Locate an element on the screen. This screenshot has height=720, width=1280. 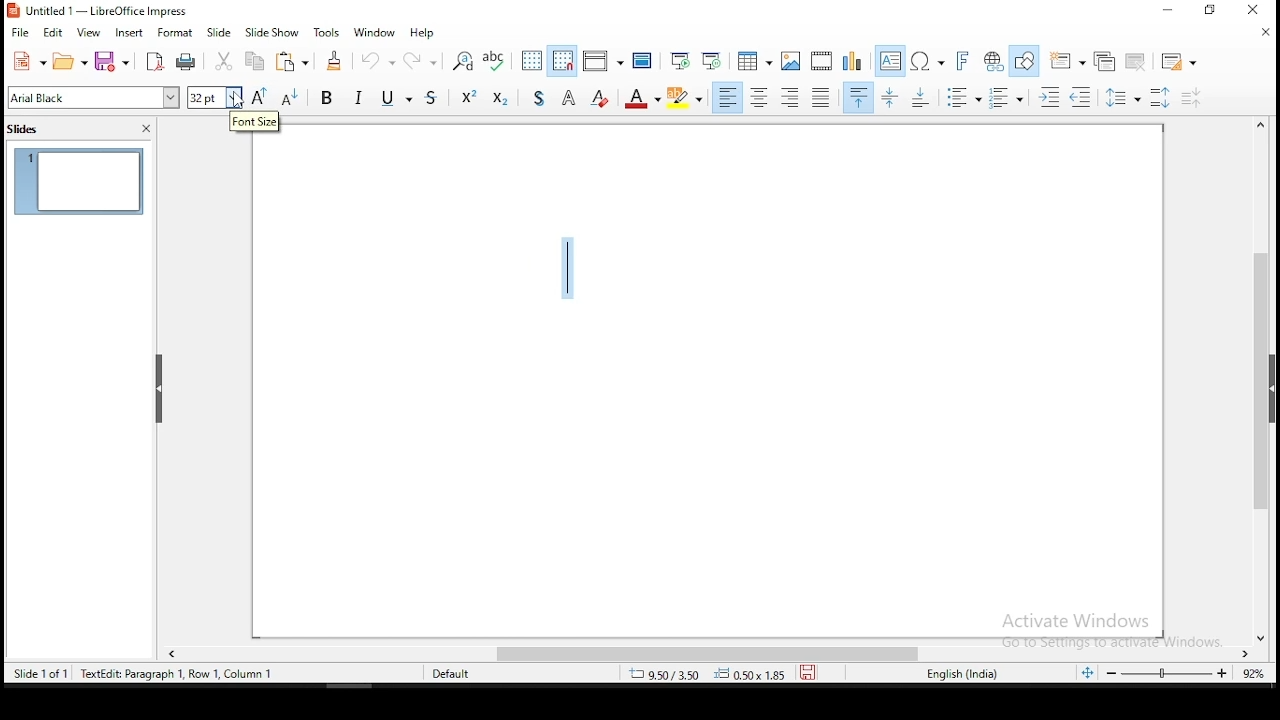
Justified is located at coordinates (822, 96).